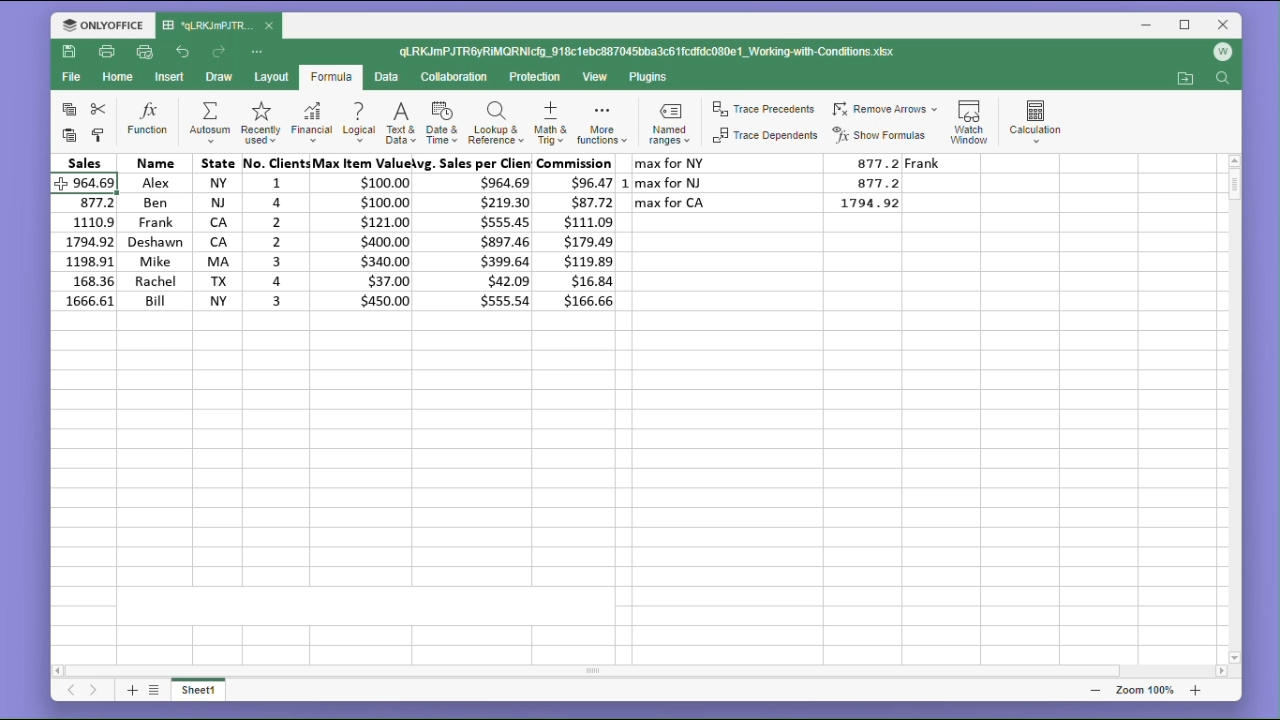  What do you see at coordinates (259, 124) in the screenshot?
I see `recently used` at bounding box center [259, 124].